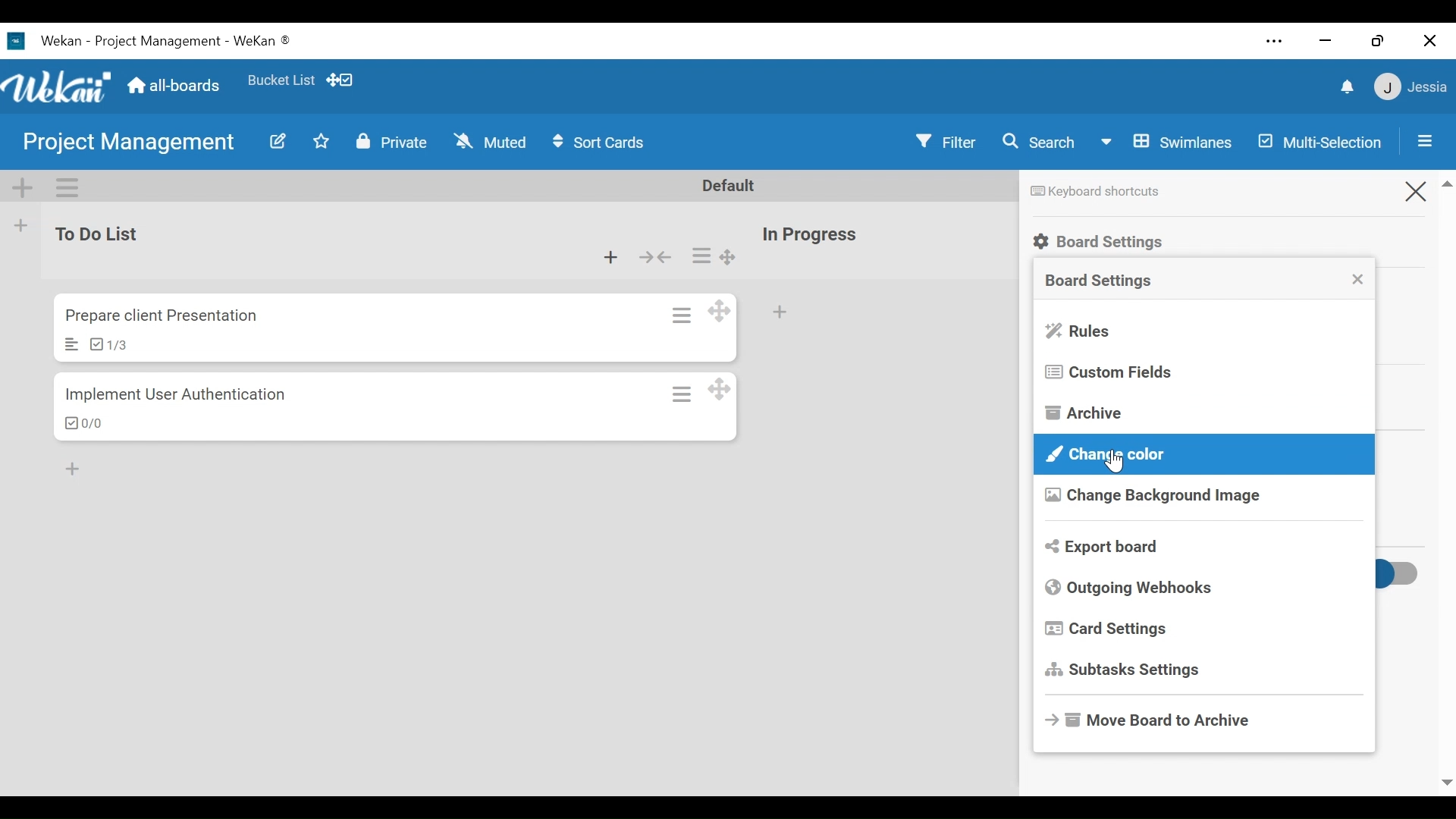 The height and width of the screenshot is (819, 1456). Describe the element at coordinates (779, 315) in the screenshot. I see `Add card to bottom of the list` at that location.